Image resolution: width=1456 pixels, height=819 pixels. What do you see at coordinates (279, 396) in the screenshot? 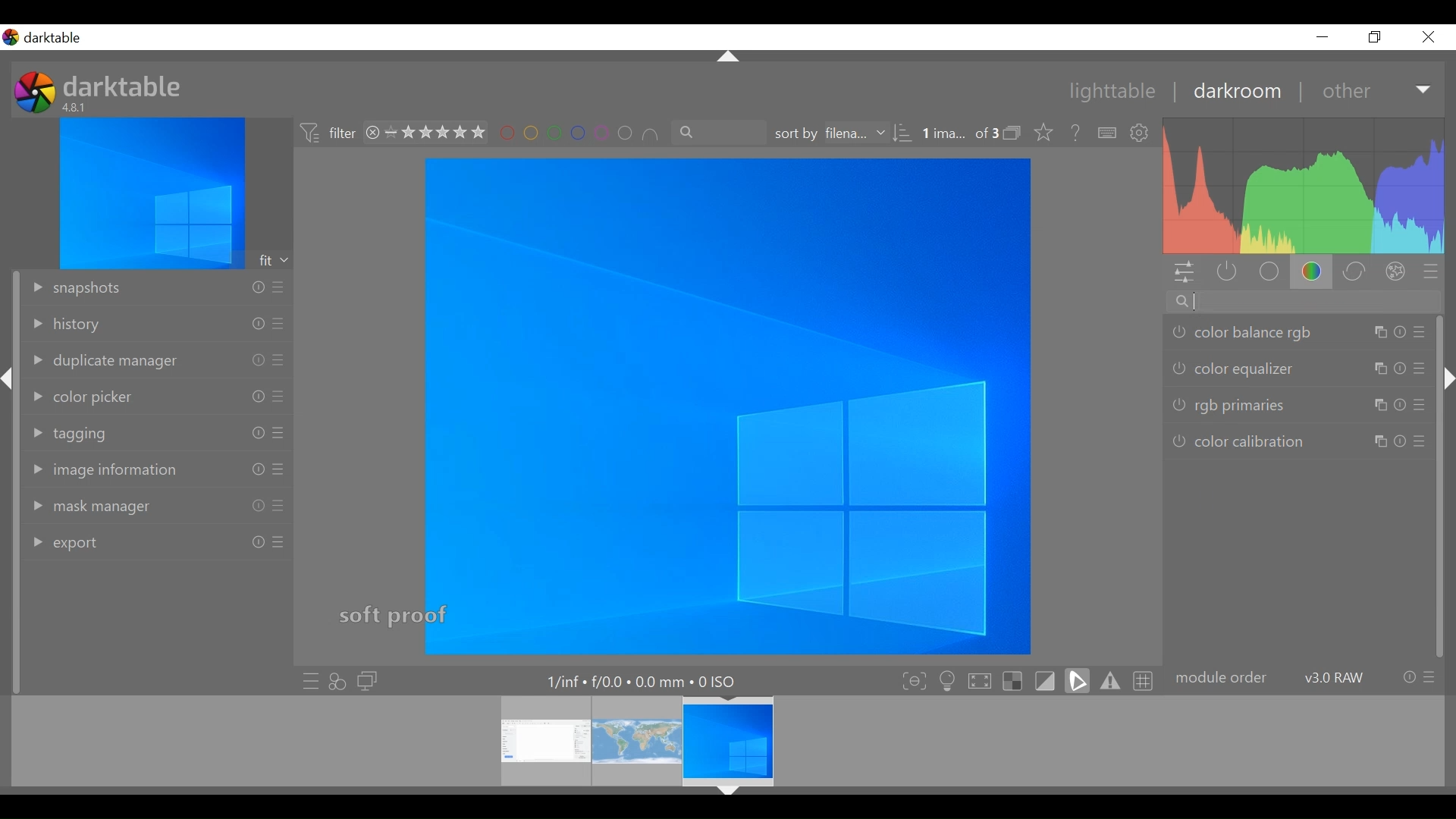
I see `presets` at bounding box center [279, 396].